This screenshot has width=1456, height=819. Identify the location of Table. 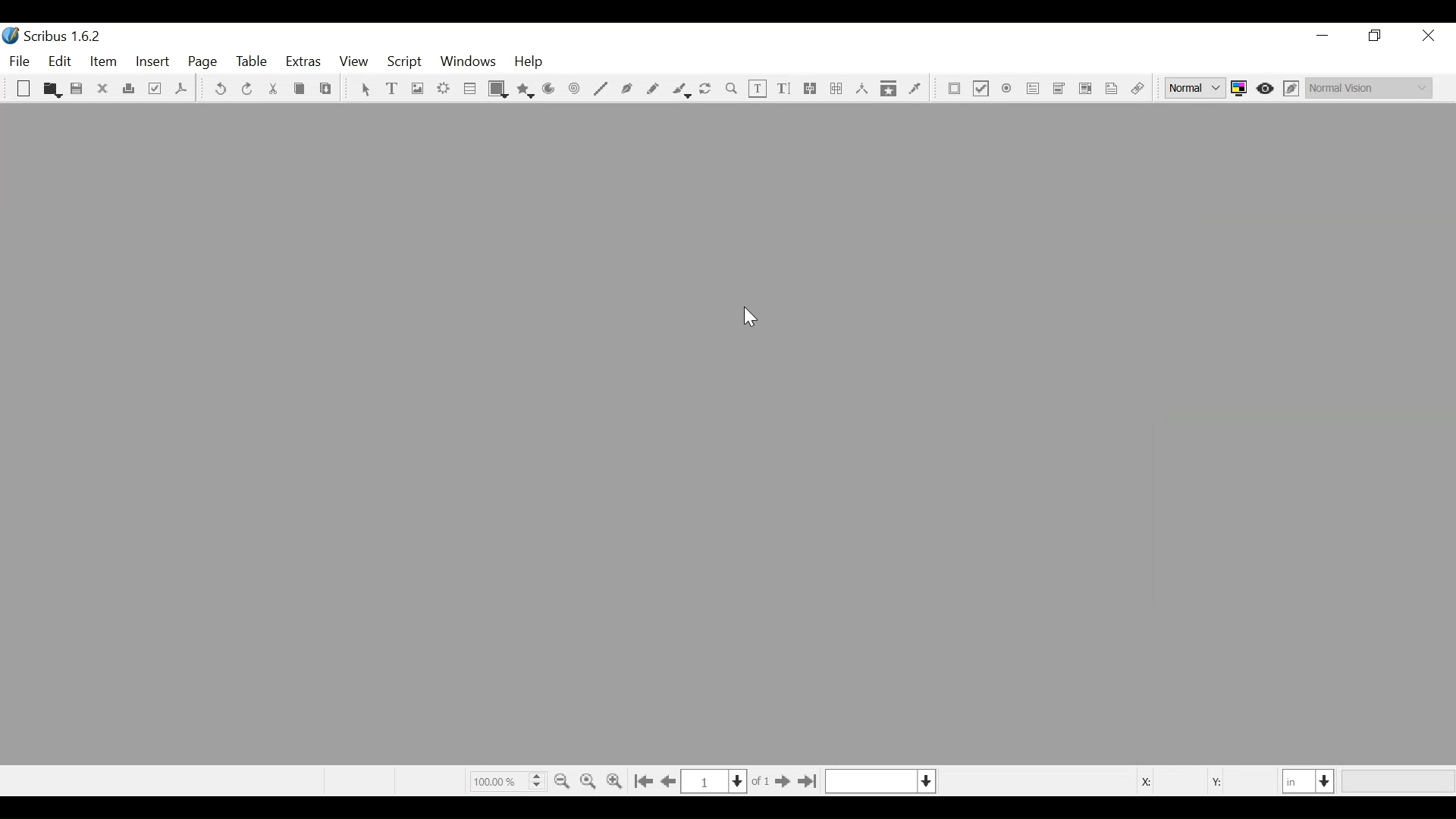
(470, 90).